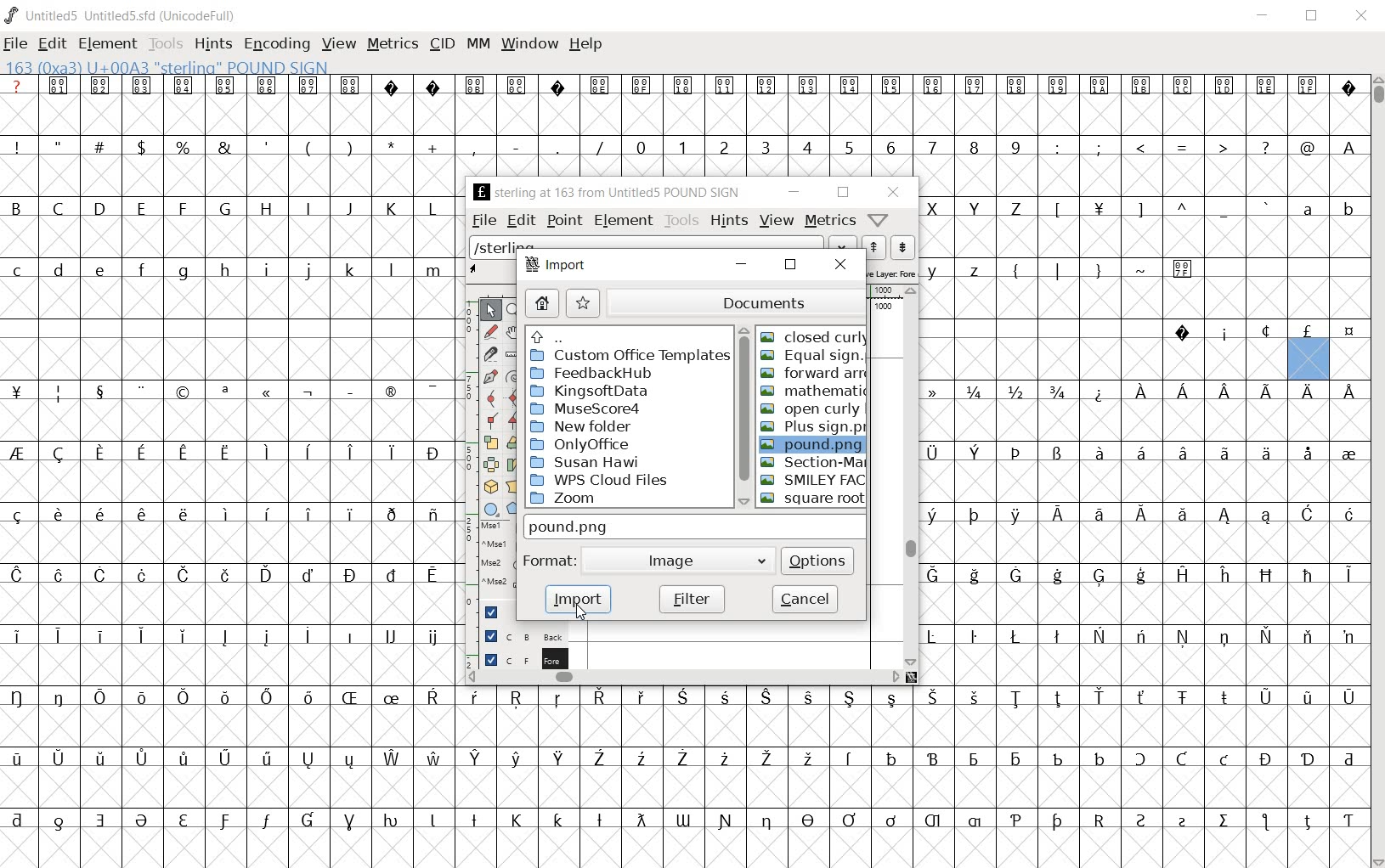 Image resolution: width=1385 pixels, height=868 pixels. I want to click on Symbol, so click(723, 699).